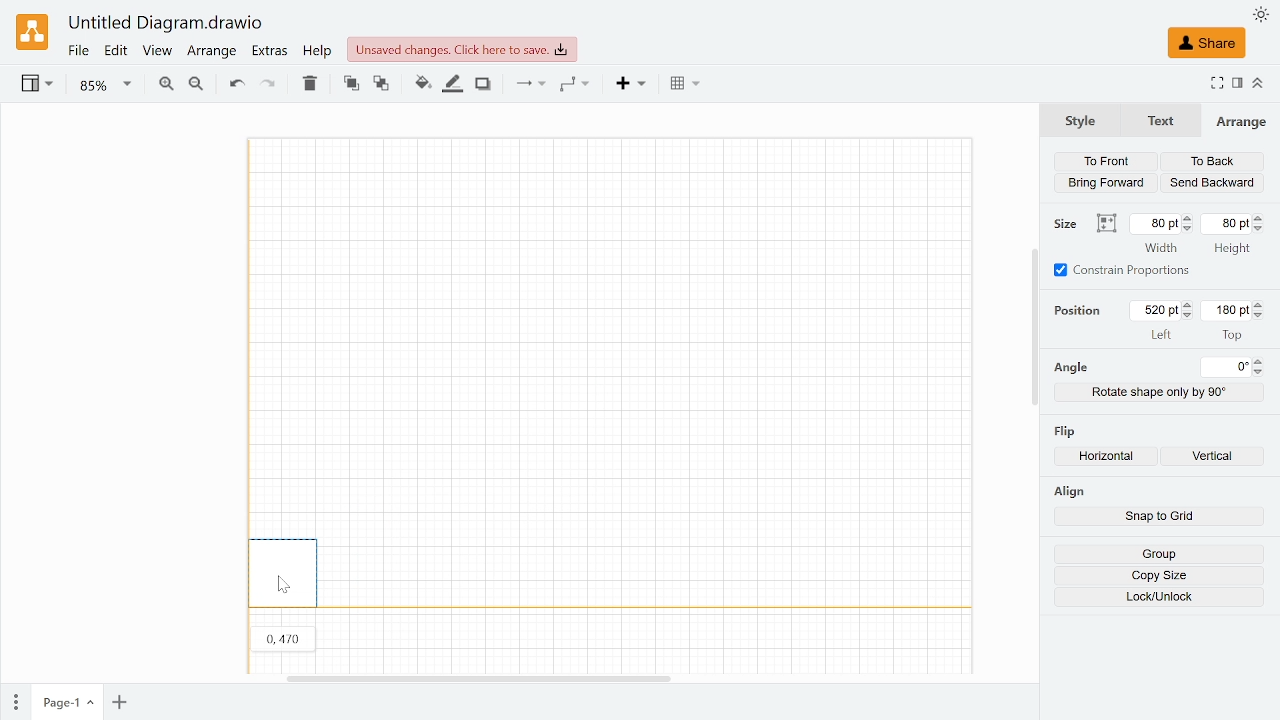 This screenshot has height=720, width=1280. Describe the element at coordinates (1241, 121) in the screenshot. I see `Arrange` at that location.